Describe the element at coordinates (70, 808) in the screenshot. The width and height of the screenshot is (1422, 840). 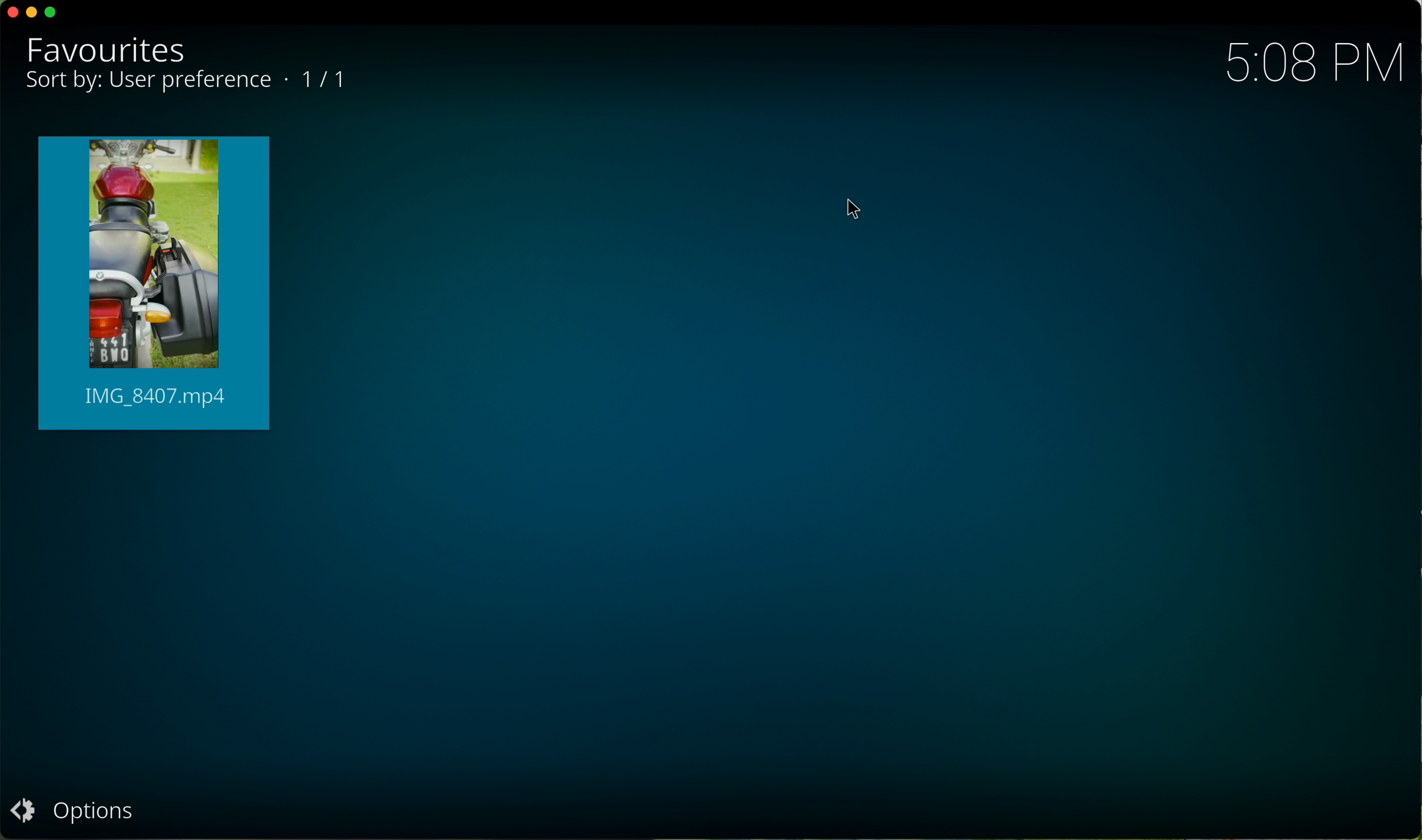
I see `options` at that location.